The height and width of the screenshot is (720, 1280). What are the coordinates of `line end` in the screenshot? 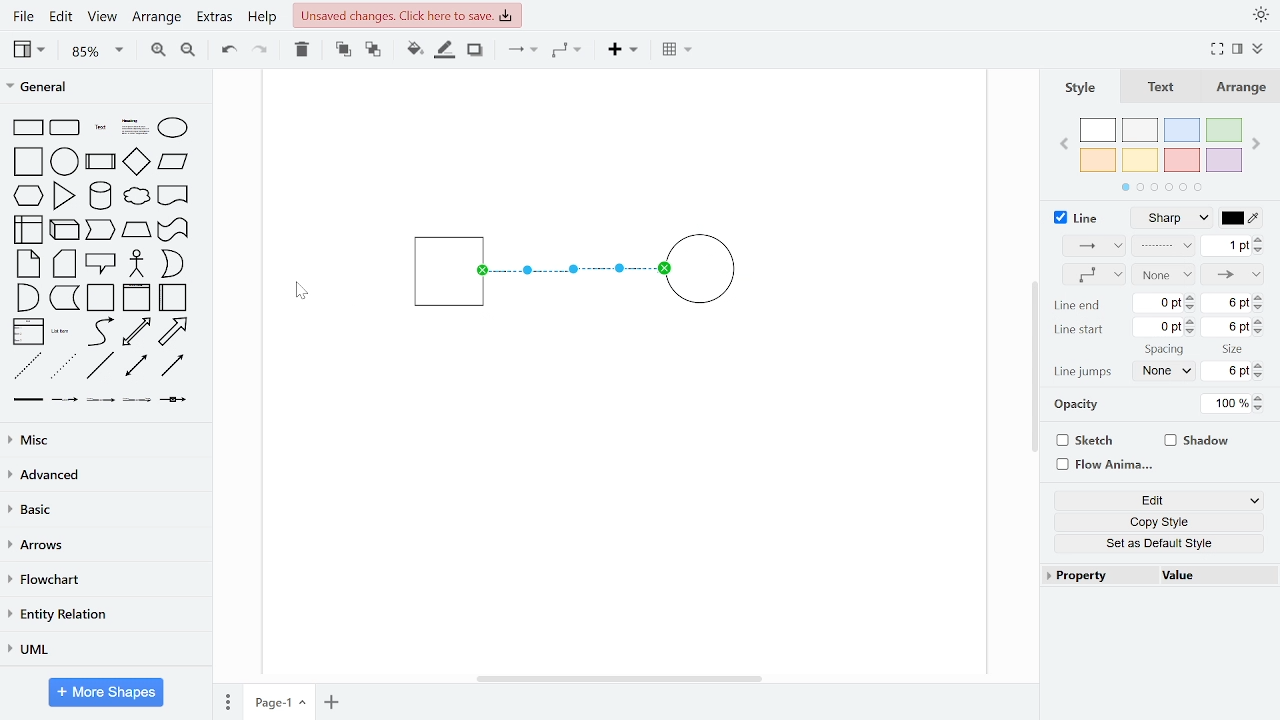 It's located at (1077, 306).